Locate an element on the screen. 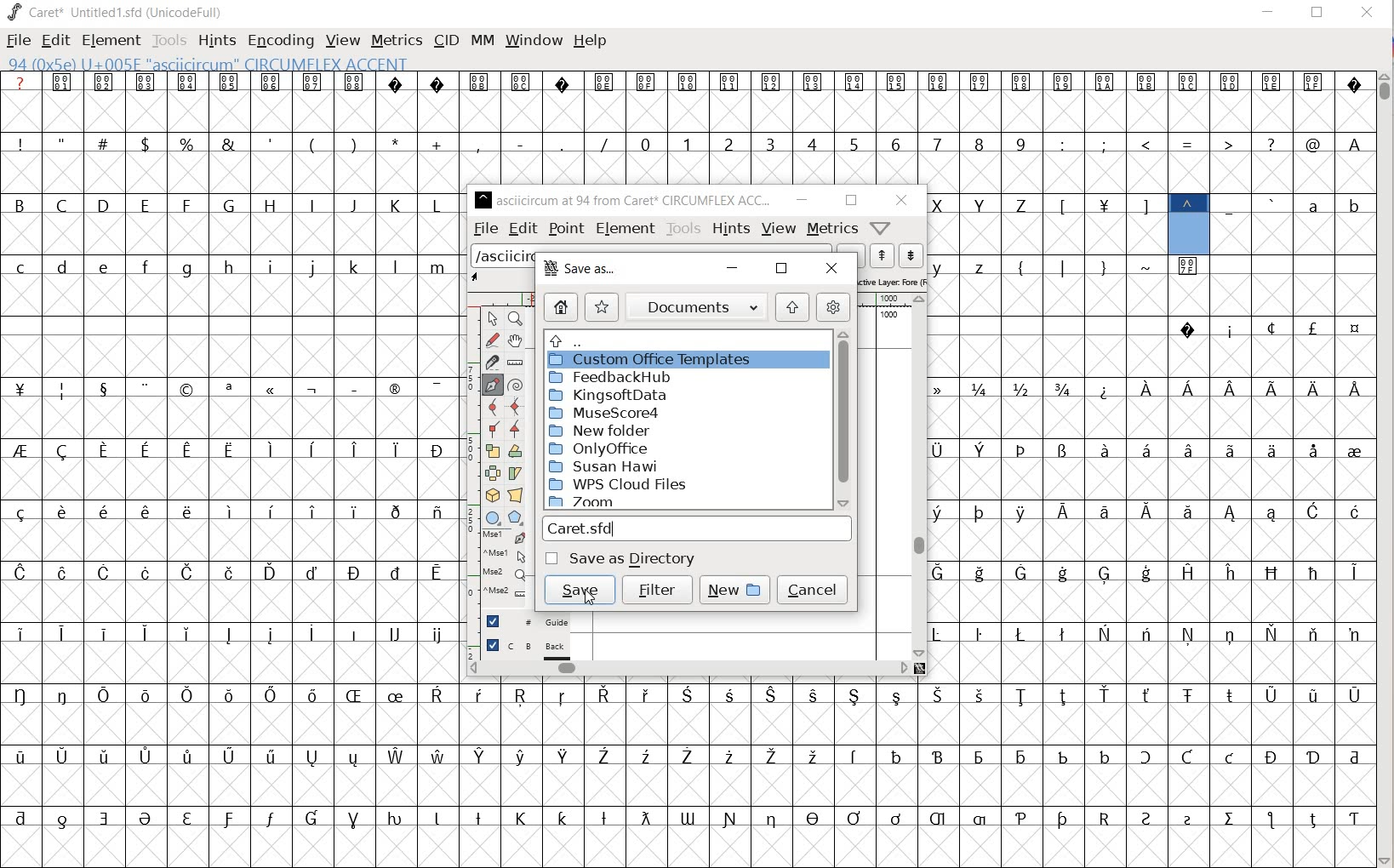  show the previous word on the list is located at coordinates (910, 254).